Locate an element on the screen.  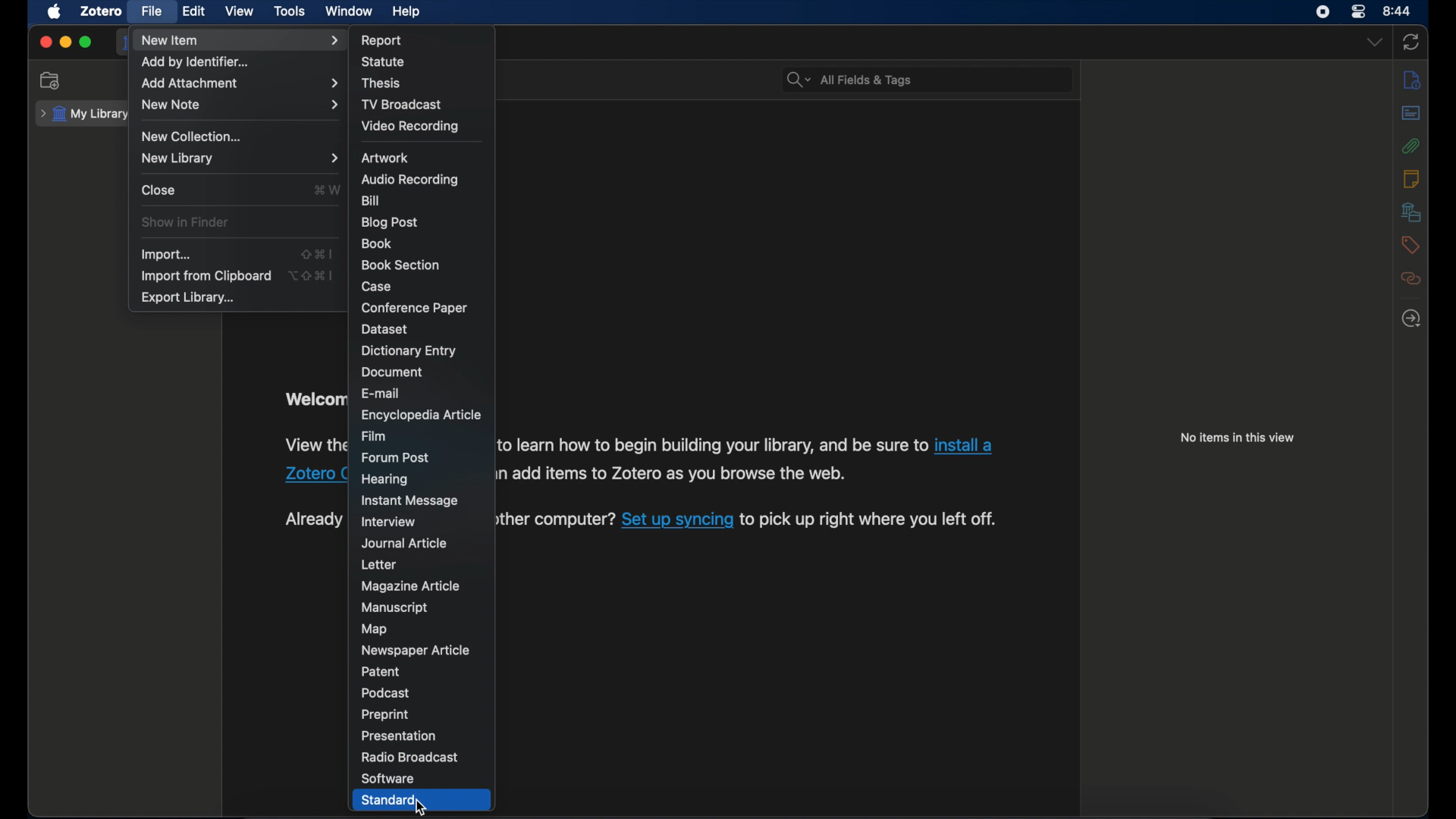
close is located at coordinates (159, 190).